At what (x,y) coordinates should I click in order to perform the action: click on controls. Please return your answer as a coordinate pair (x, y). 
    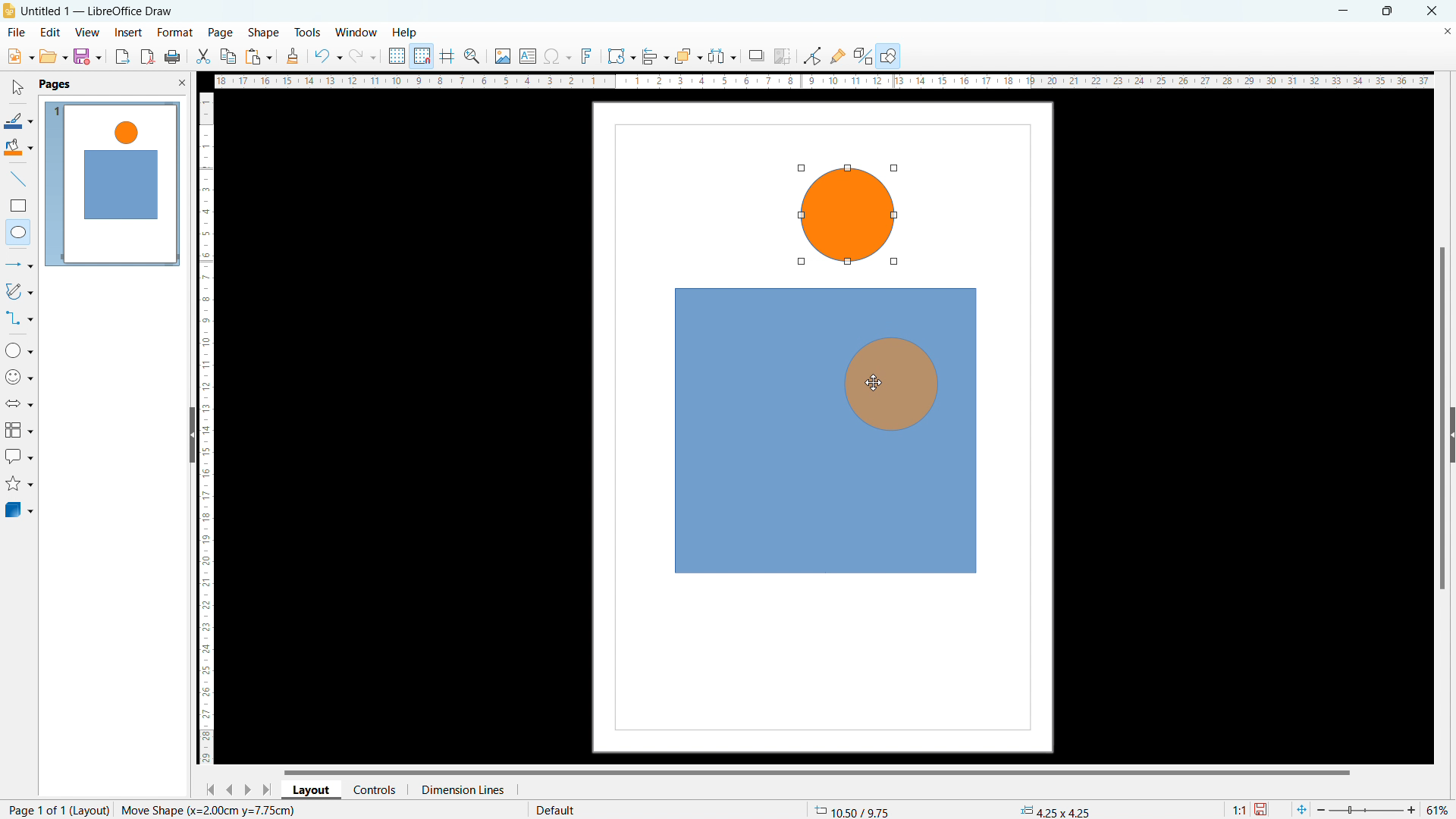
    Looking at the image, I should click on (376, 789).